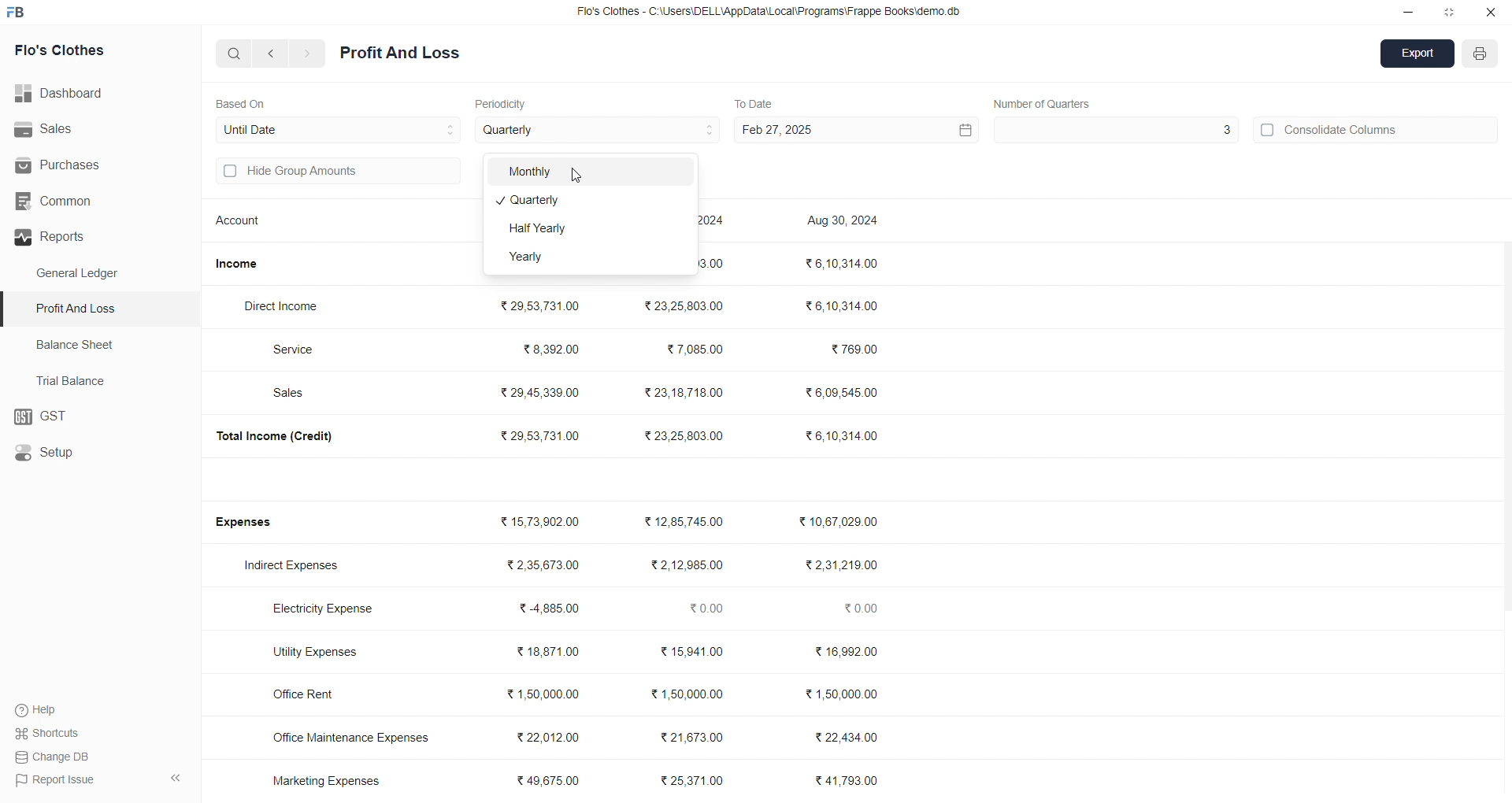 This screenshot has width=1512, height=803. I want to click on resize, so click(1449, 12).